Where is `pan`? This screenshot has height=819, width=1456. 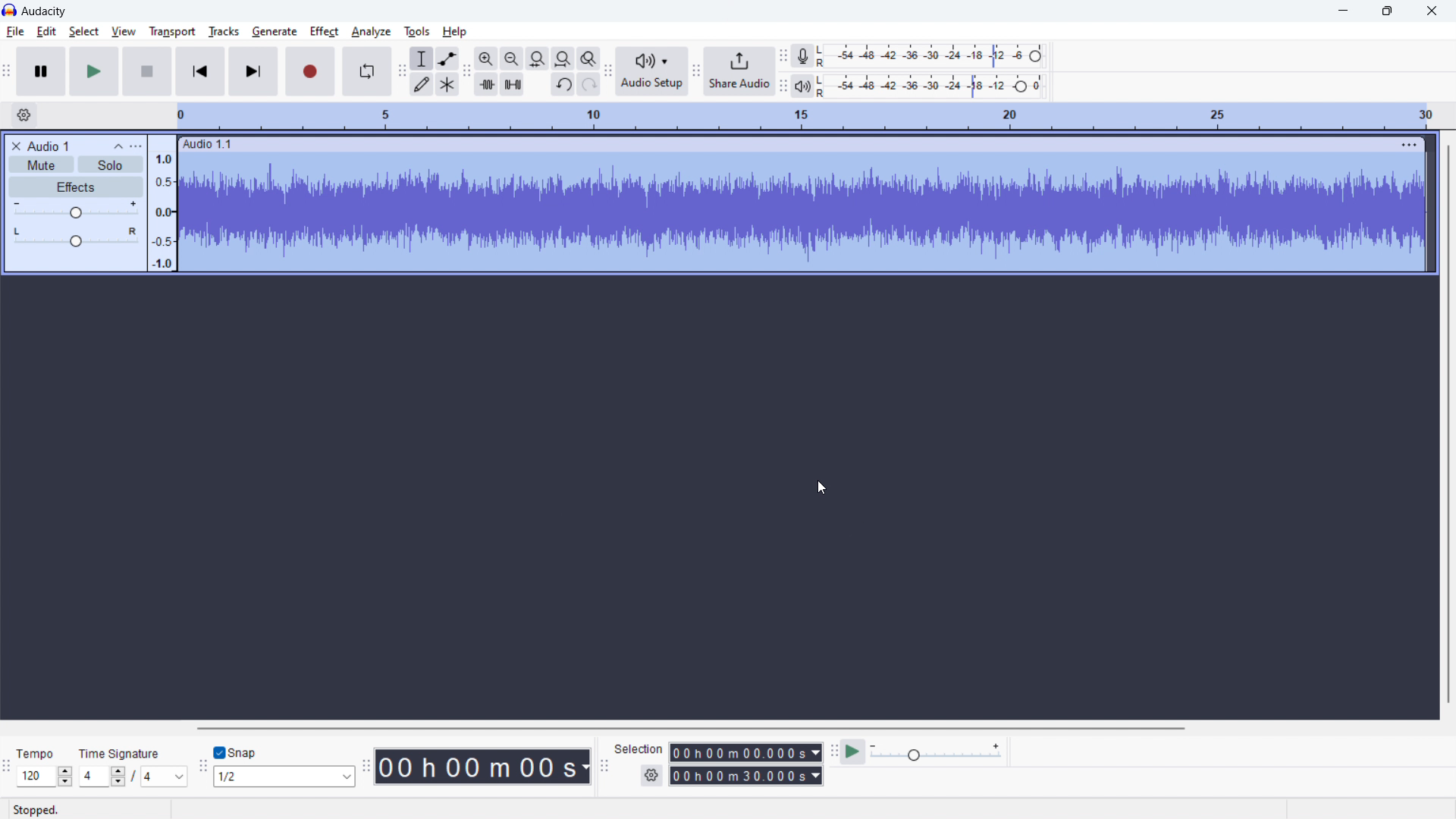 pan is located at coordinates (75, 237).